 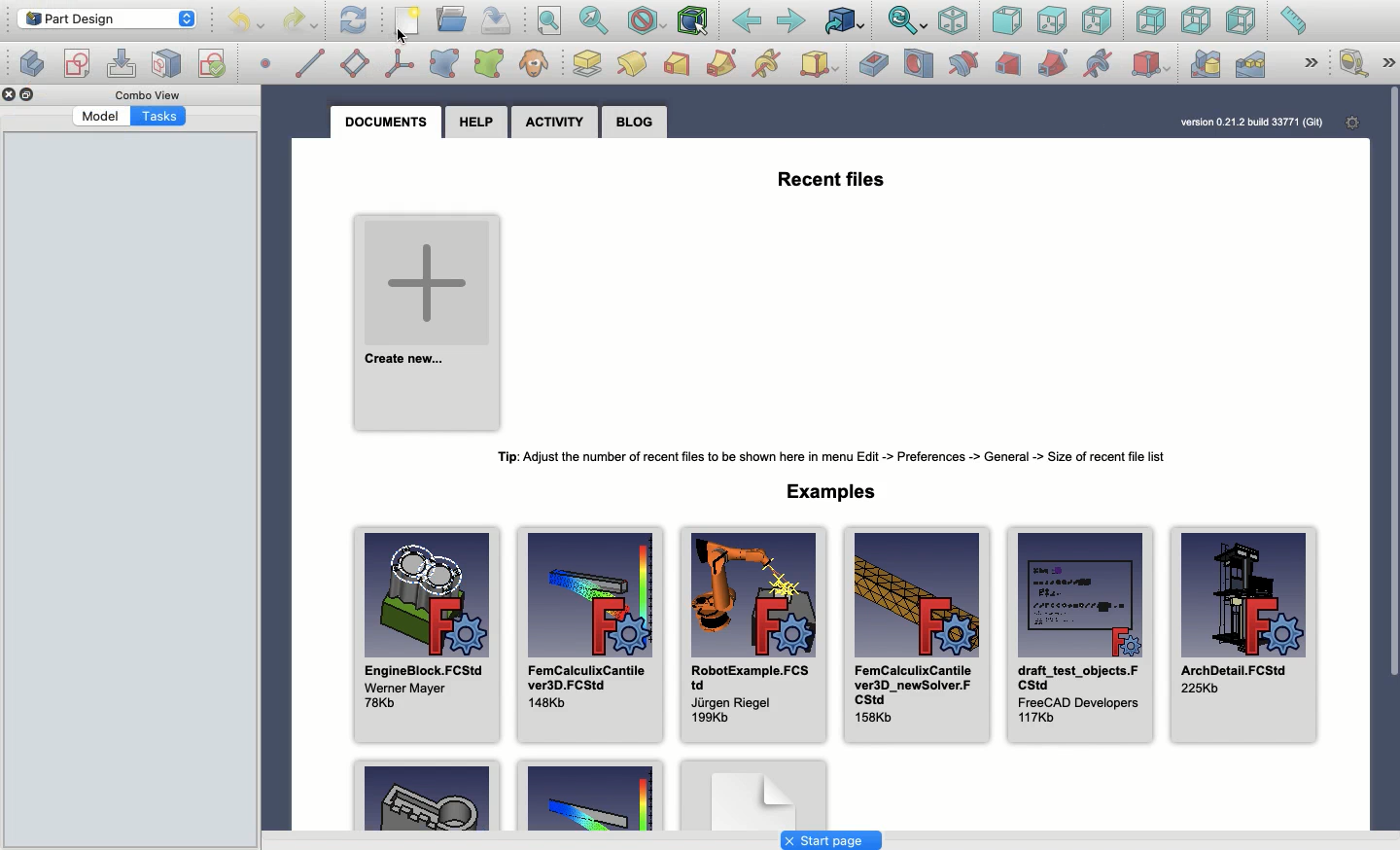 What do you see at coordinates (692, 21) in the screenshot?
I see `Bounding Box` at bounding box center [692, 21].